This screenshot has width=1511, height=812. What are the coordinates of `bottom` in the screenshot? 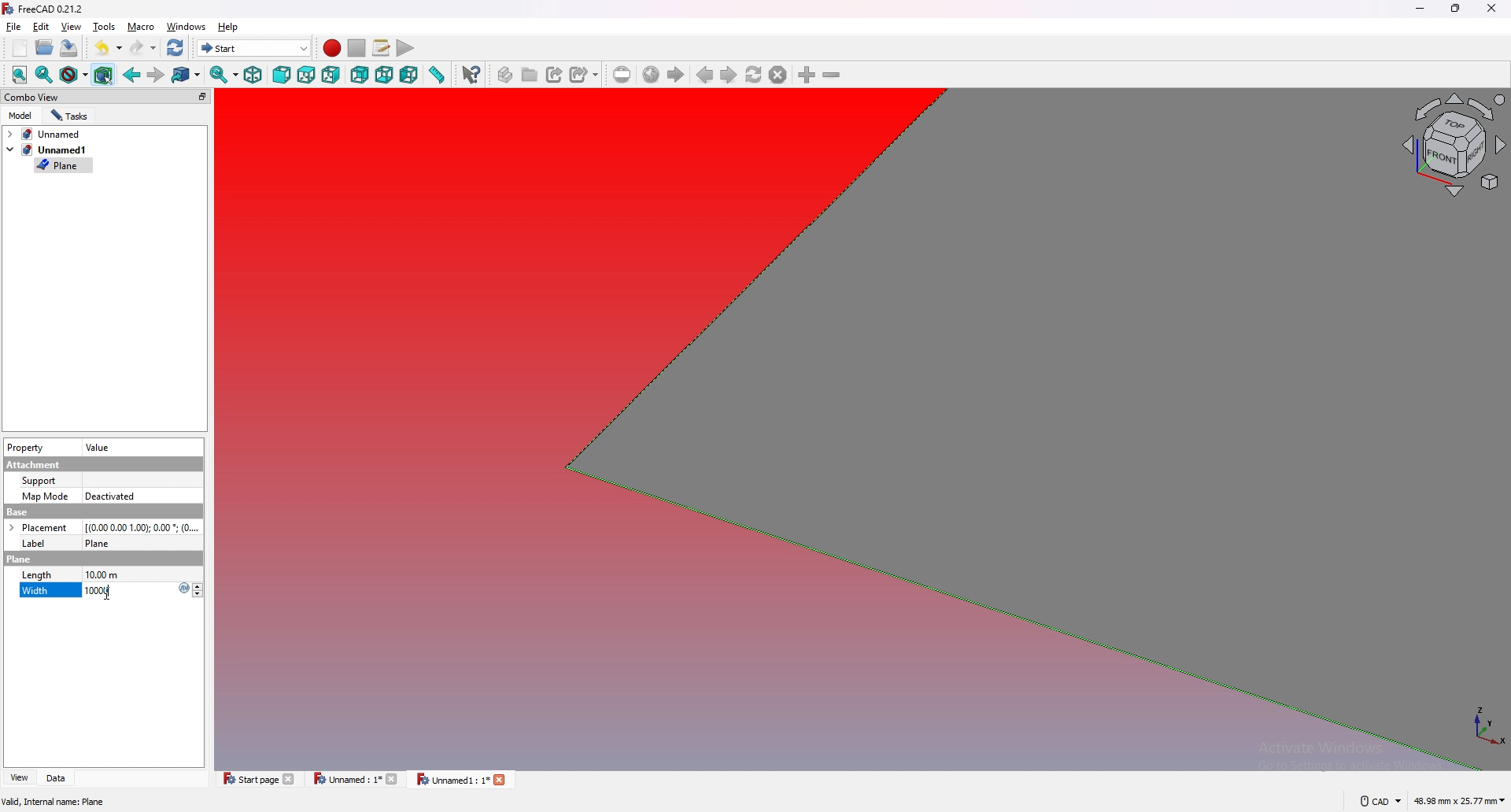 It's located at (384, 76).